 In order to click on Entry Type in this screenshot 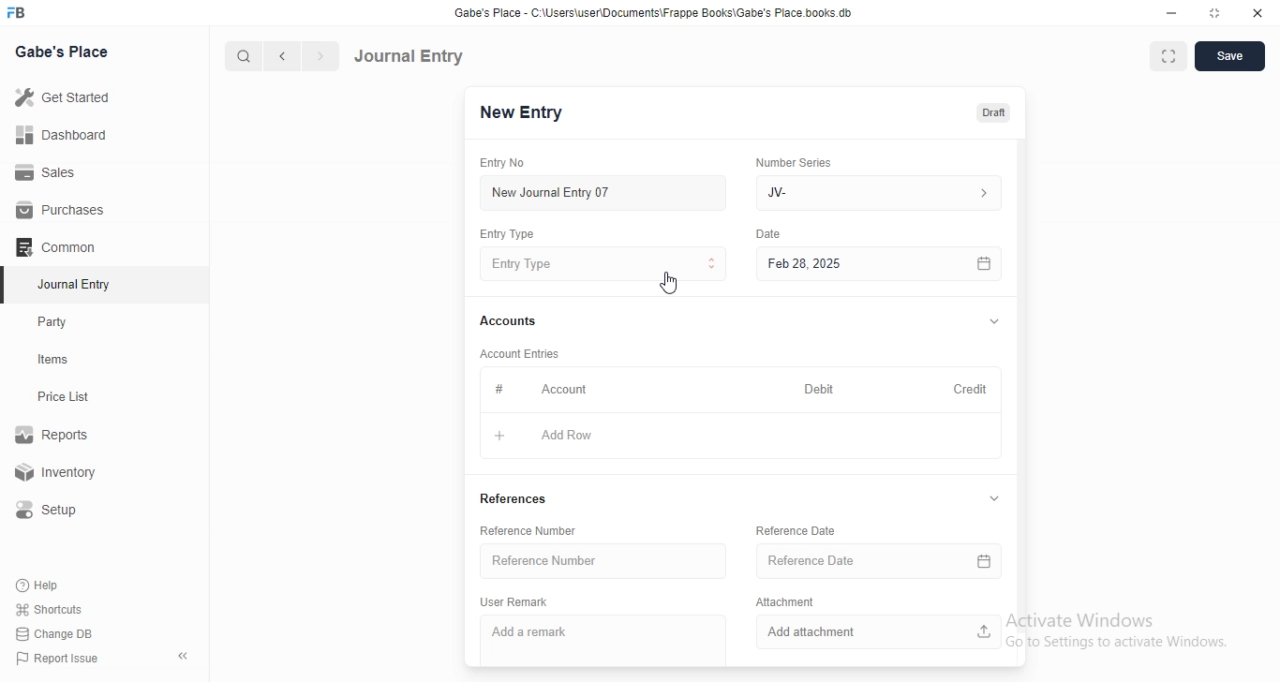, I will do `click(509, 234)`.